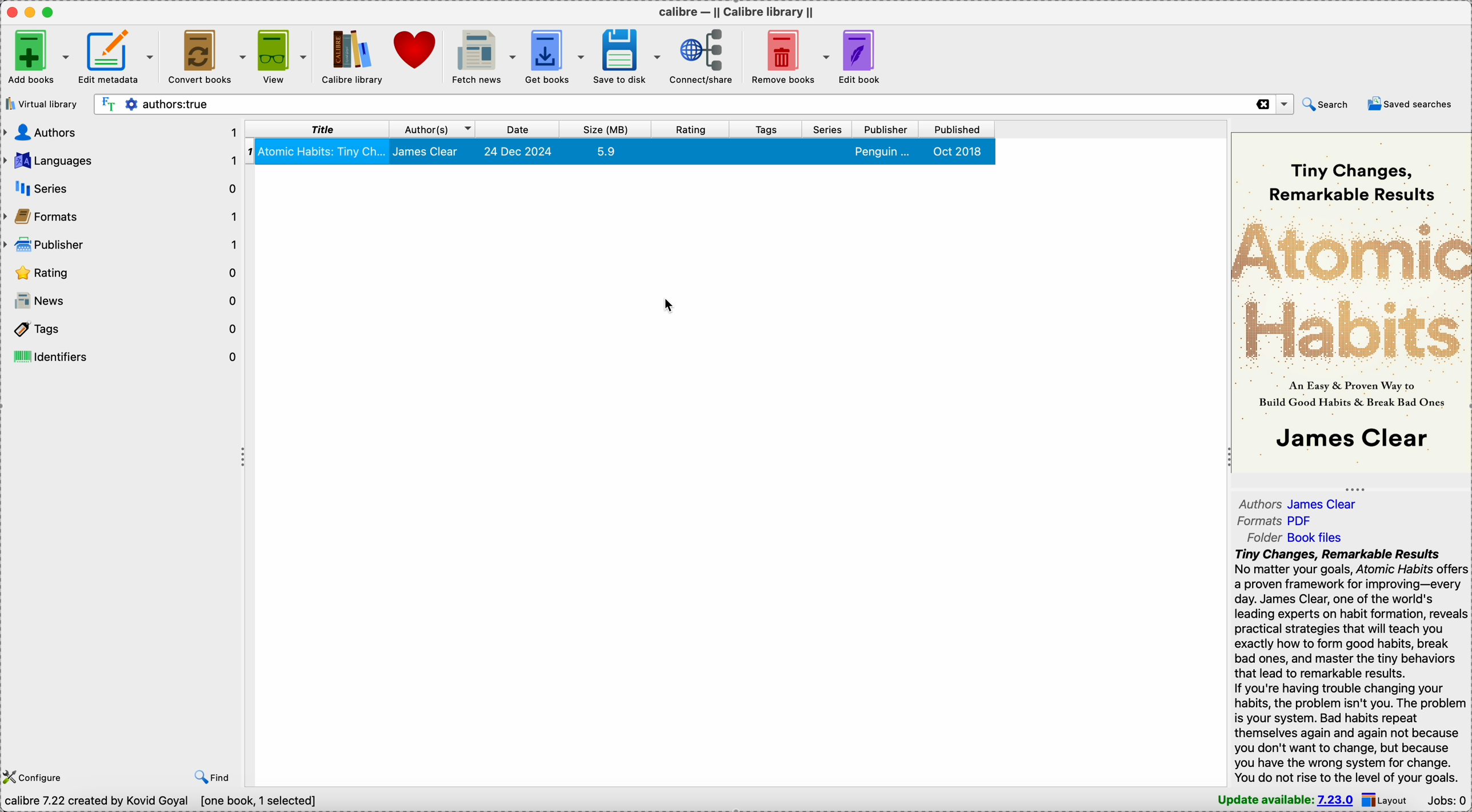  I want to click on get books, so click(552, 58).